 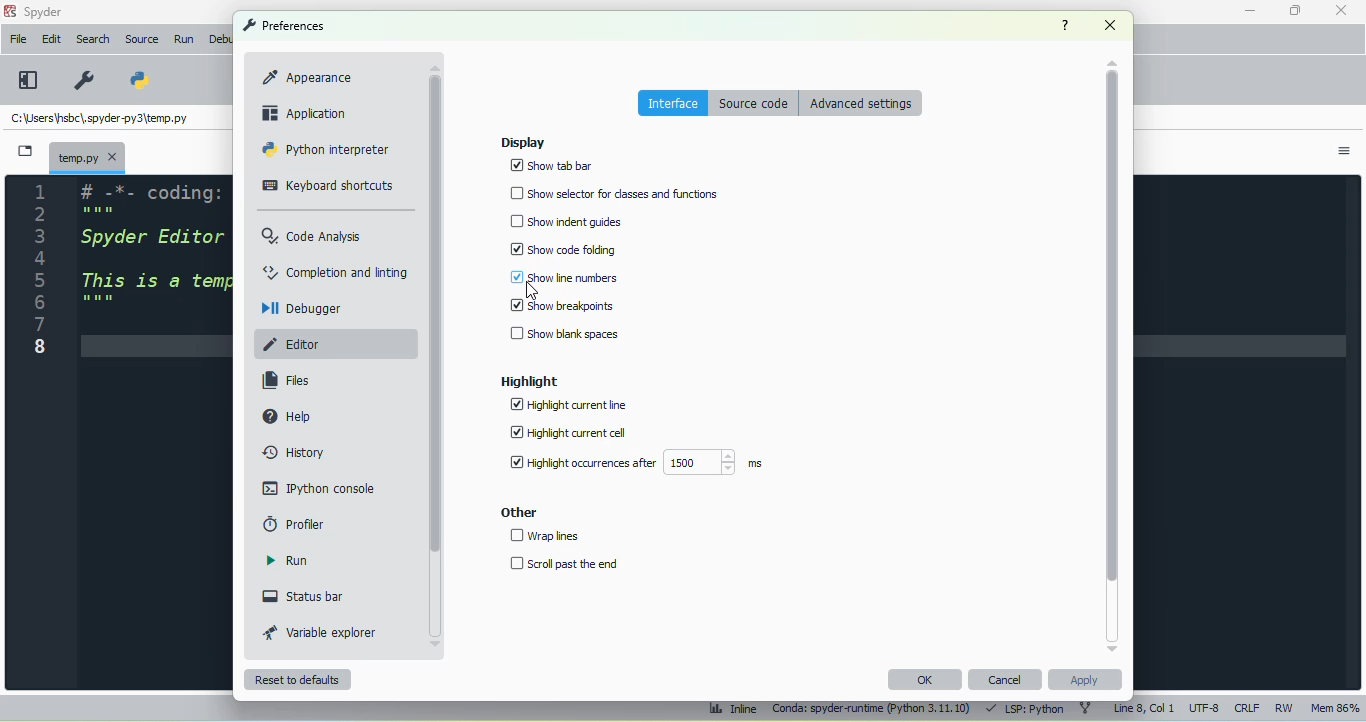 What do you see at coordinates (288, 561) in the screenshot?
I see `run` at bounding box center [288, 561].